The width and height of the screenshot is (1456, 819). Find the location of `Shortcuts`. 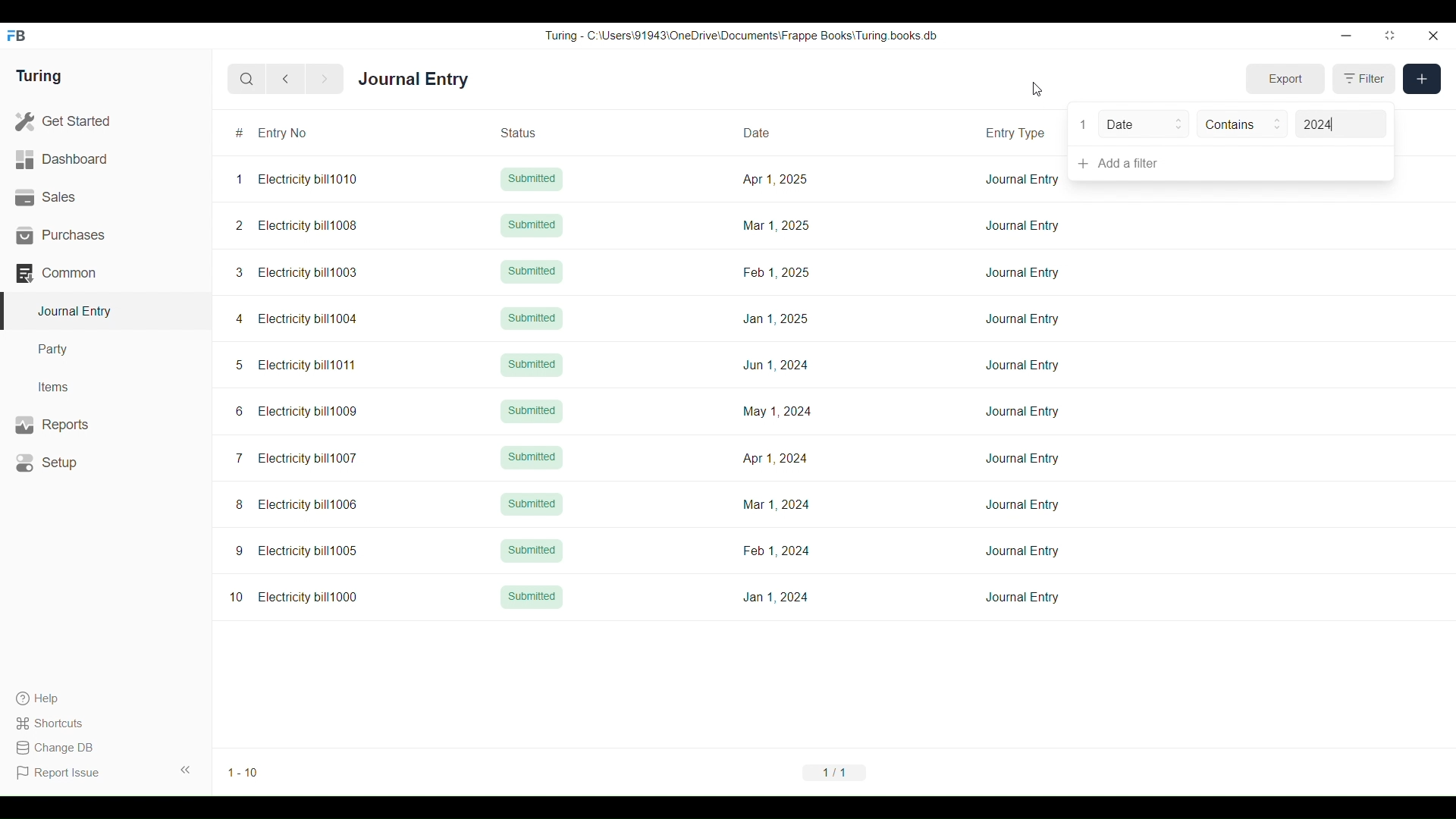

Shortcuts is located at coordinates (58, 723).